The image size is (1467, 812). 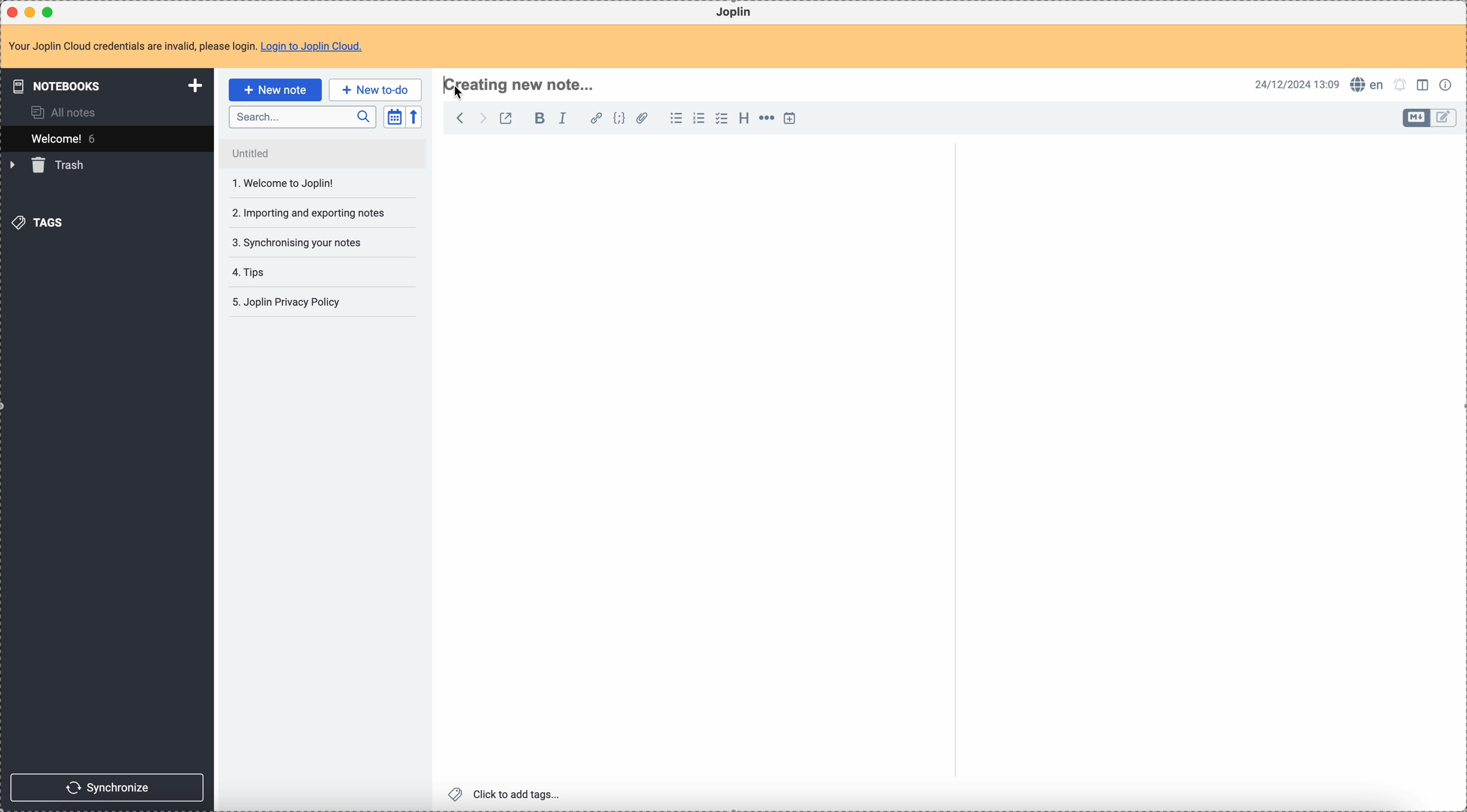 What do you see at coordinates (460, 118) in the screenshot?
I see `back` at bounding box center [460, 118].